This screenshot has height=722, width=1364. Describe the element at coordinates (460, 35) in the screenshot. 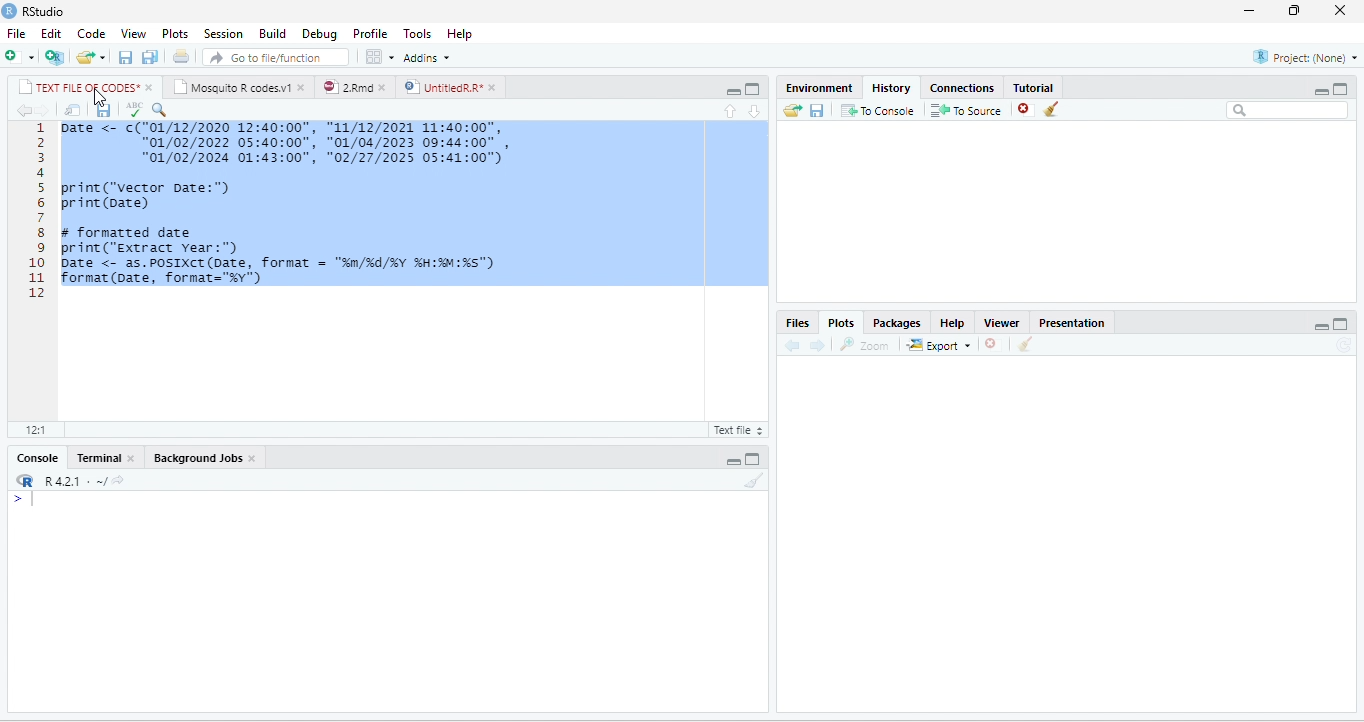

I see `Help` at that location.